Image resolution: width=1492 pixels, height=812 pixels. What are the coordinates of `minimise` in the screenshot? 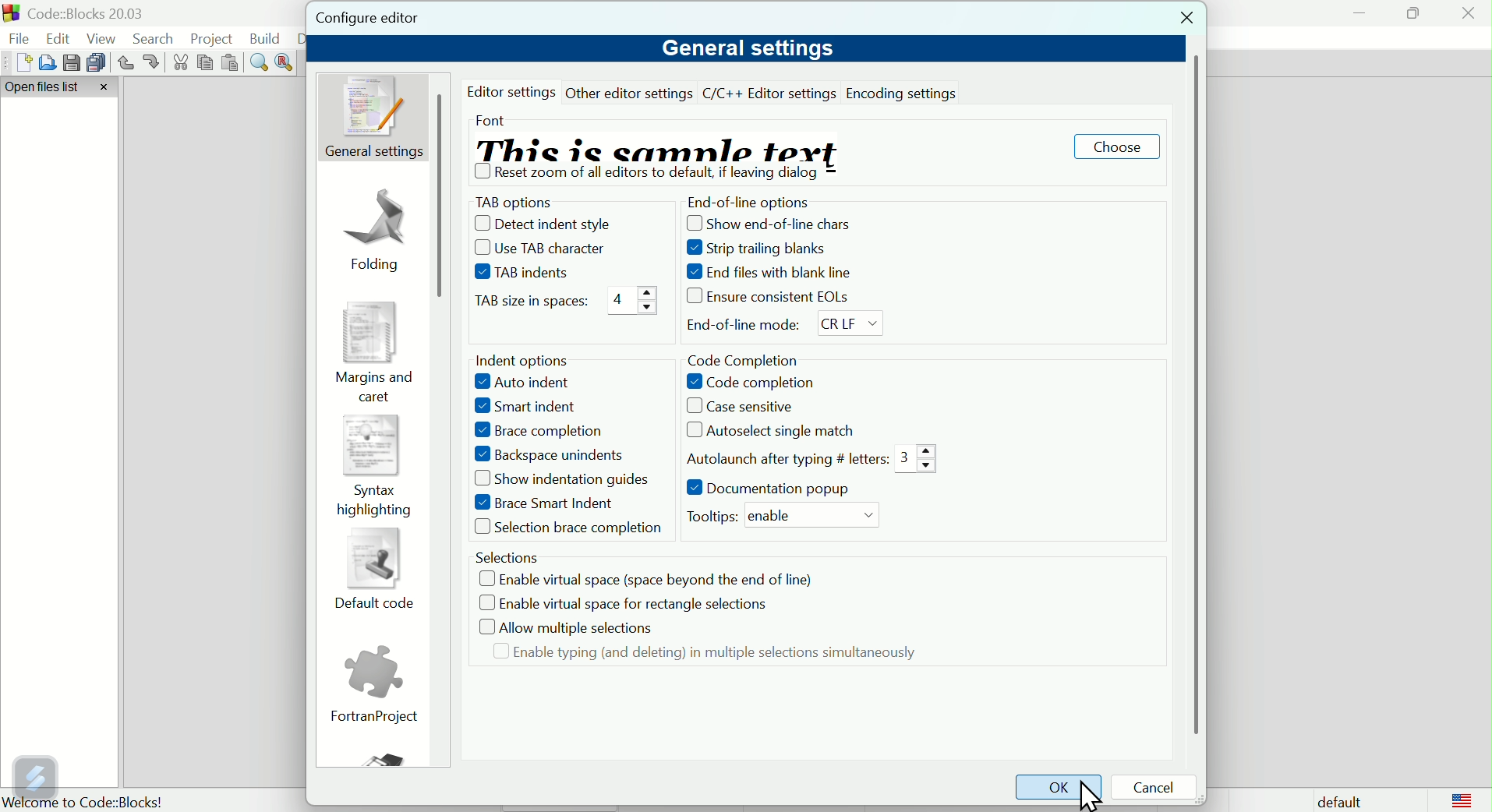 It's located at (1360, 12).